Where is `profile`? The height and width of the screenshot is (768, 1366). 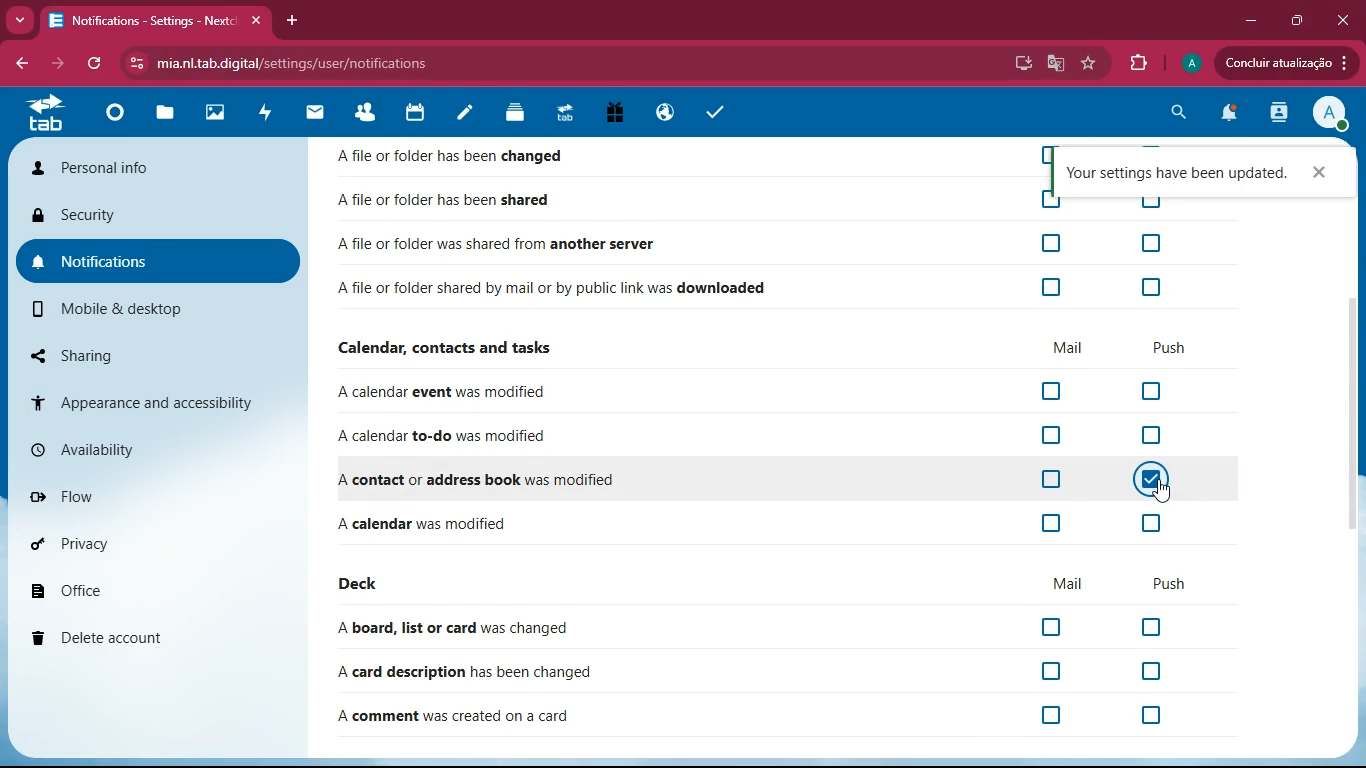 profile is located at coordinates (1192, 63).